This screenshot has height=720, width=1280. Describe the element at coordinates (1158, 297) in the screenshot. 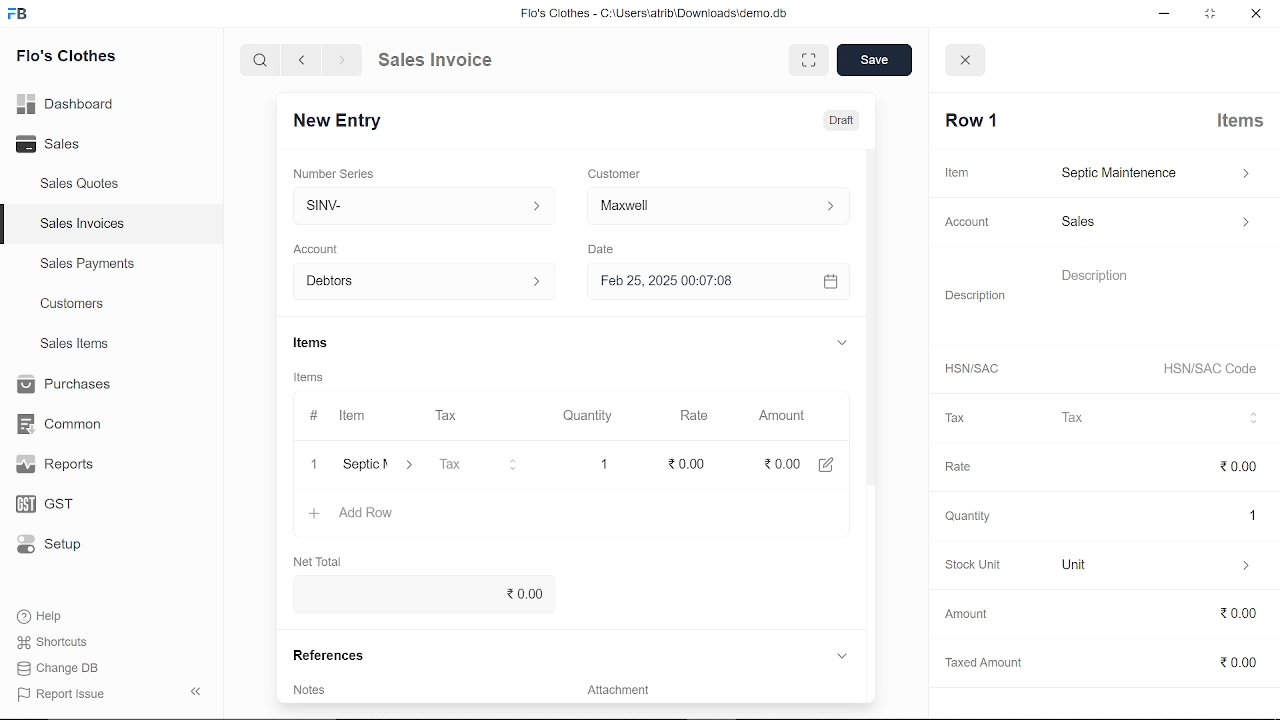

I see `description` at that location.